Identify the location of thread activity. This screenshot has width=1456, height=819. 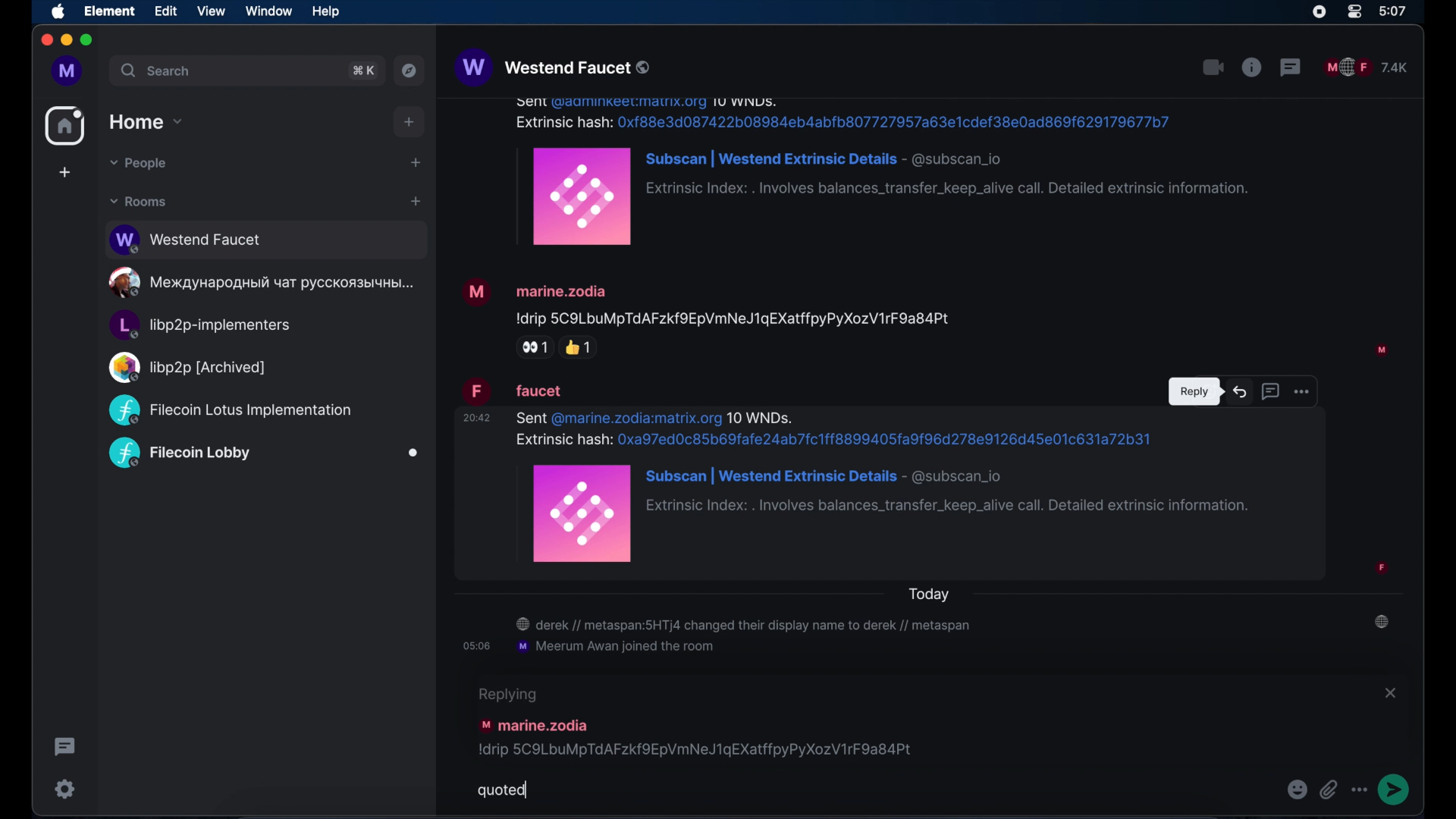
(64, 747).